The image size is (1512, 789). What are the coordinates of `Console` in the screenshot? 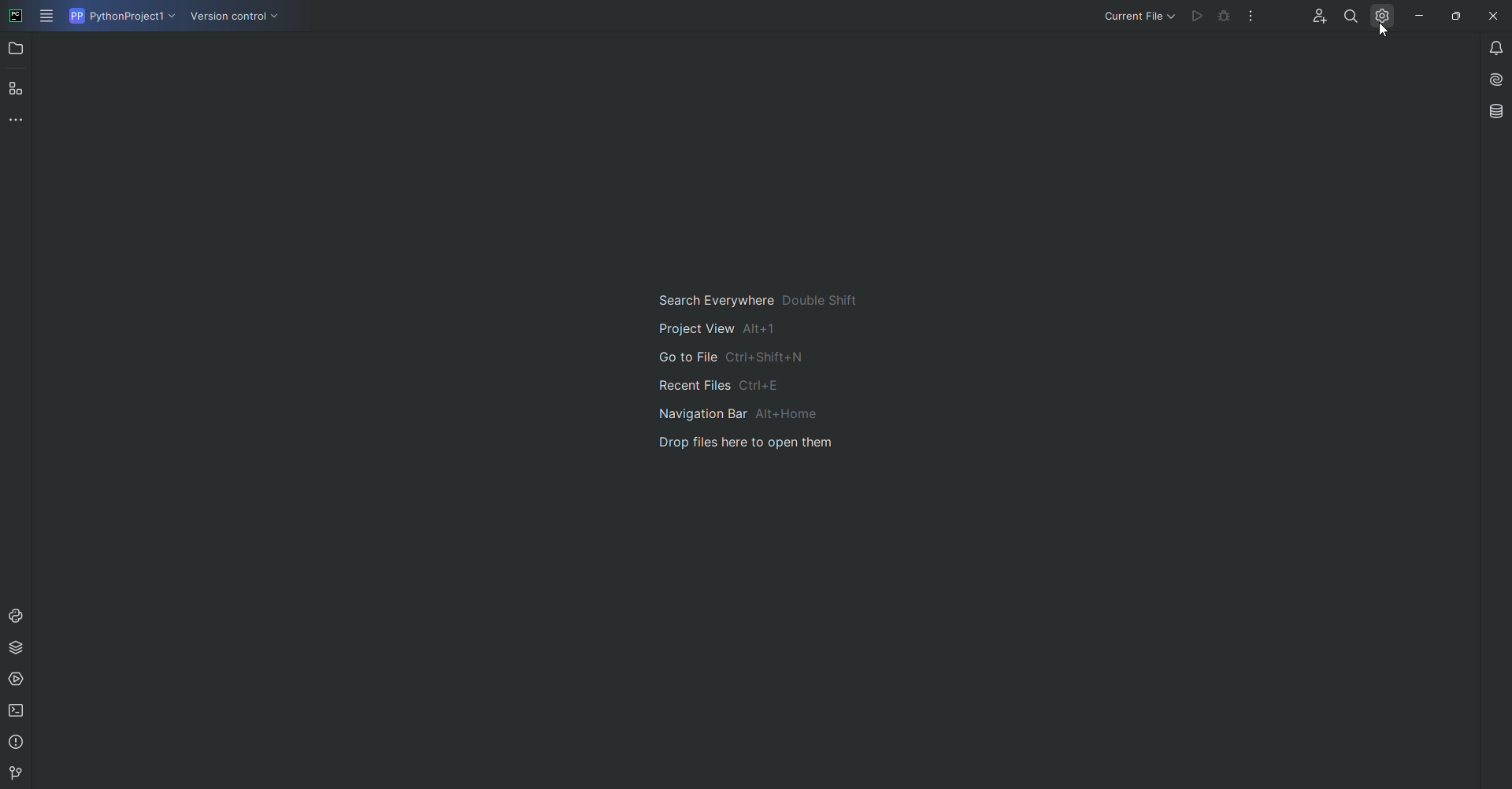 It's located at (17, 616).